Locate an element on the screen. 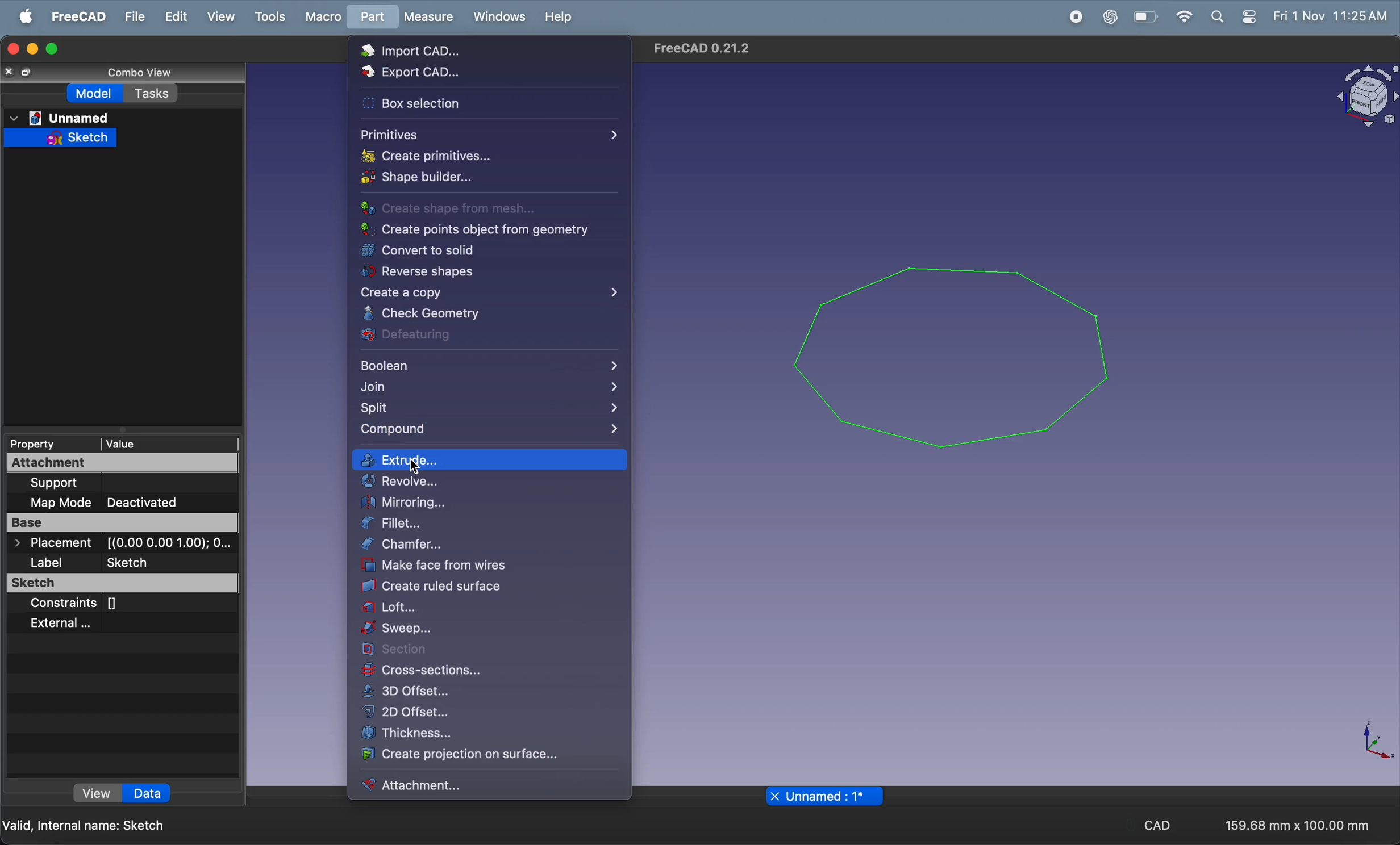 This screenshot has width=1400, height=845. 2D offset is located at coordinates (473, 715).